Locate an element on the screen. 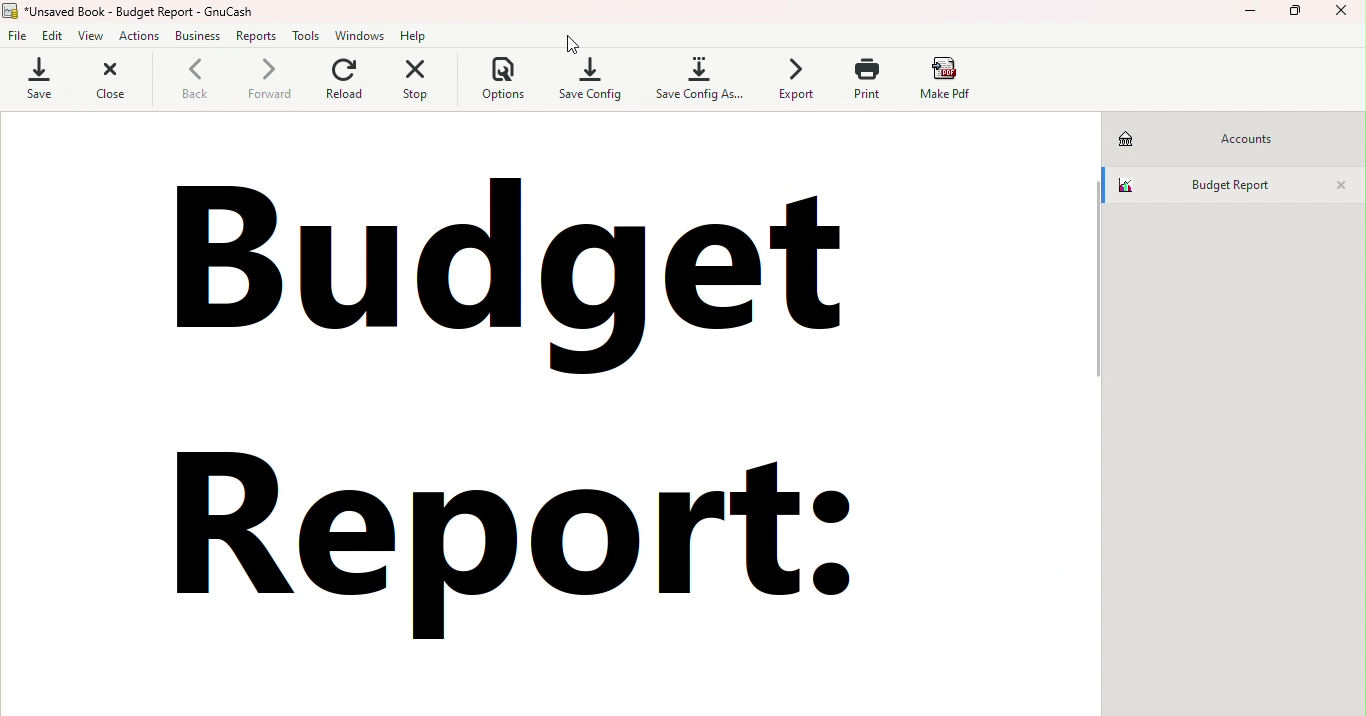 The height and width of the screenshot is (716, 1366). View is located at coordinates (90, 37).